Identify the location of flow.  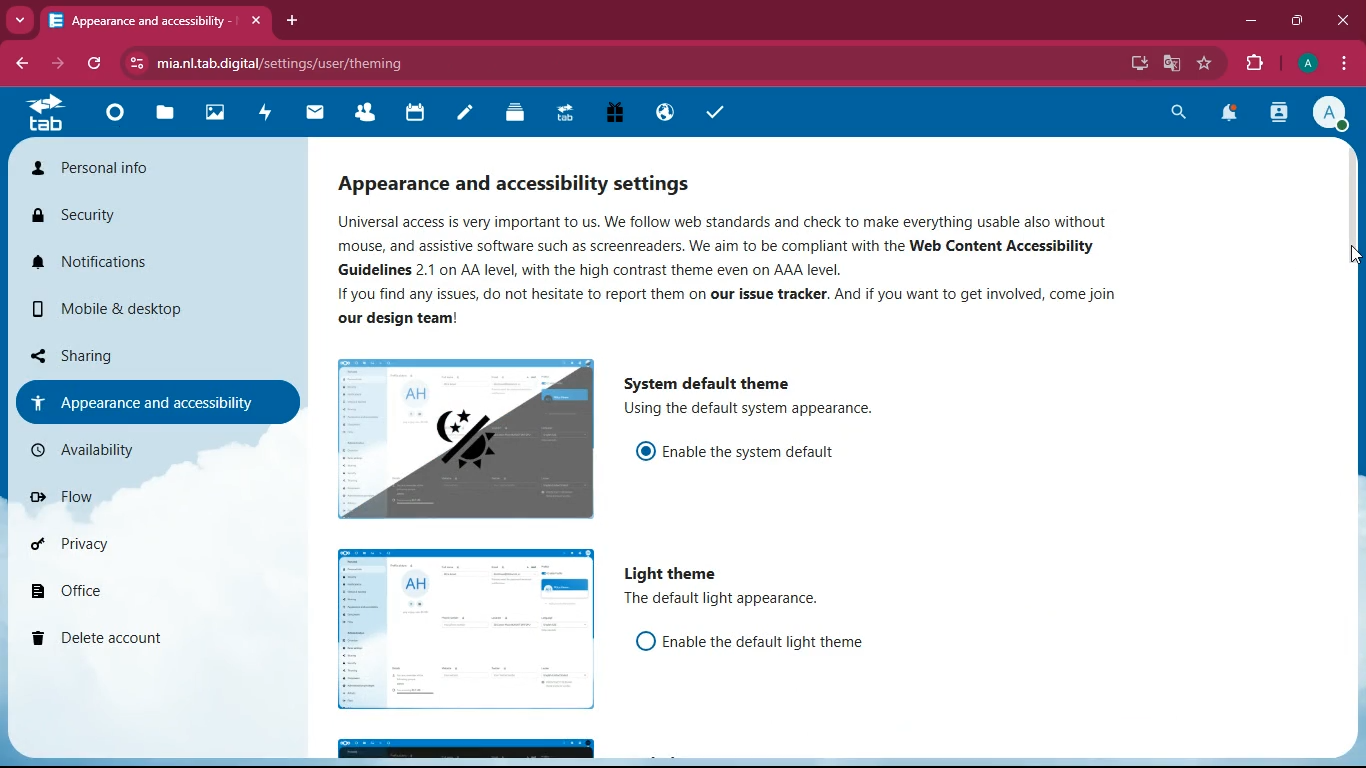
(142, 502).